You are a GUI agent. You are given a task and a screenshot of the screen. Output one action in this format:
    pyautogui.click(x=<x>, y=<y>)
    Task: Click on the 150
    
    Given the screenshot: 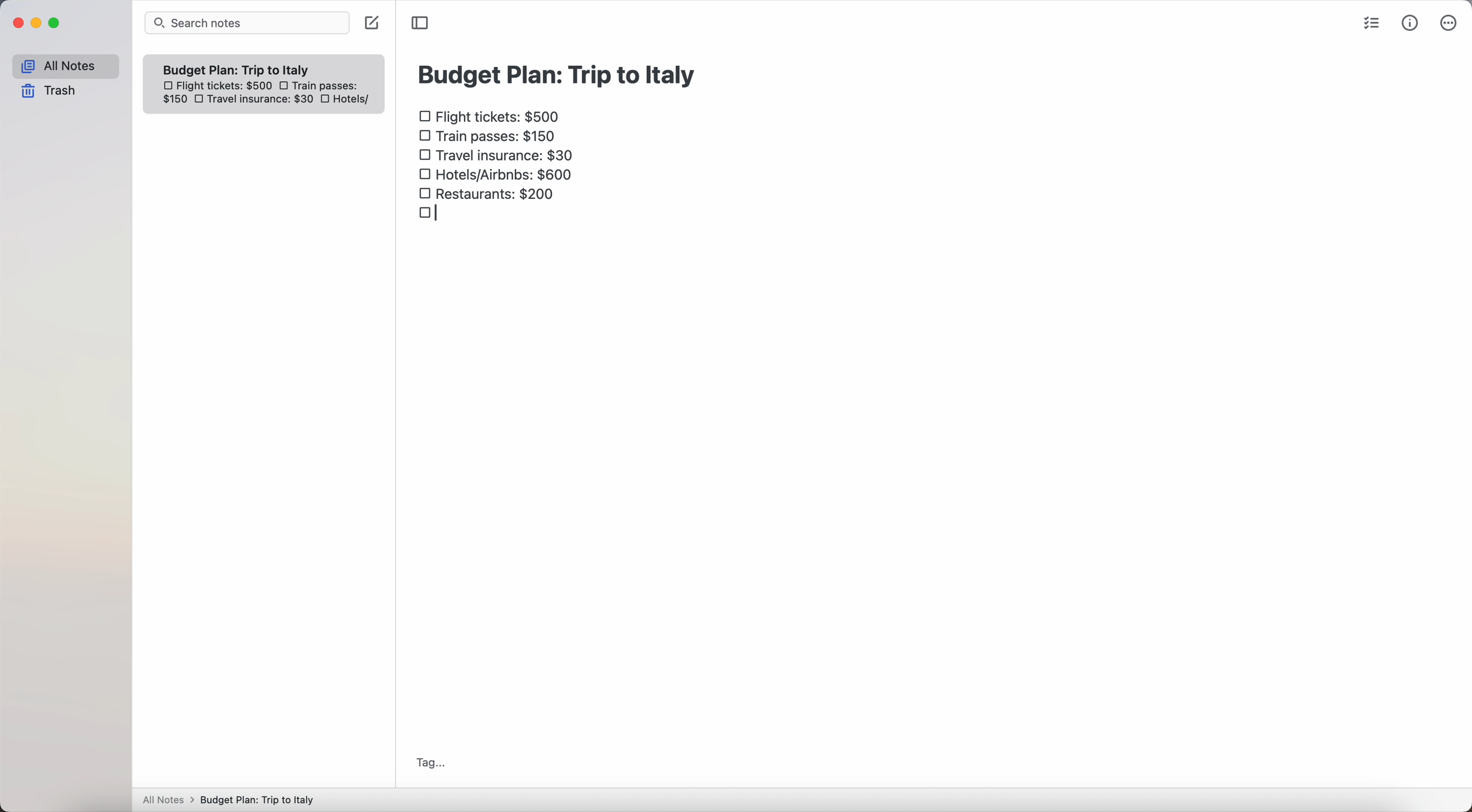 What is the action you would take?
    pyautogui.click(x=174, y=101)
    